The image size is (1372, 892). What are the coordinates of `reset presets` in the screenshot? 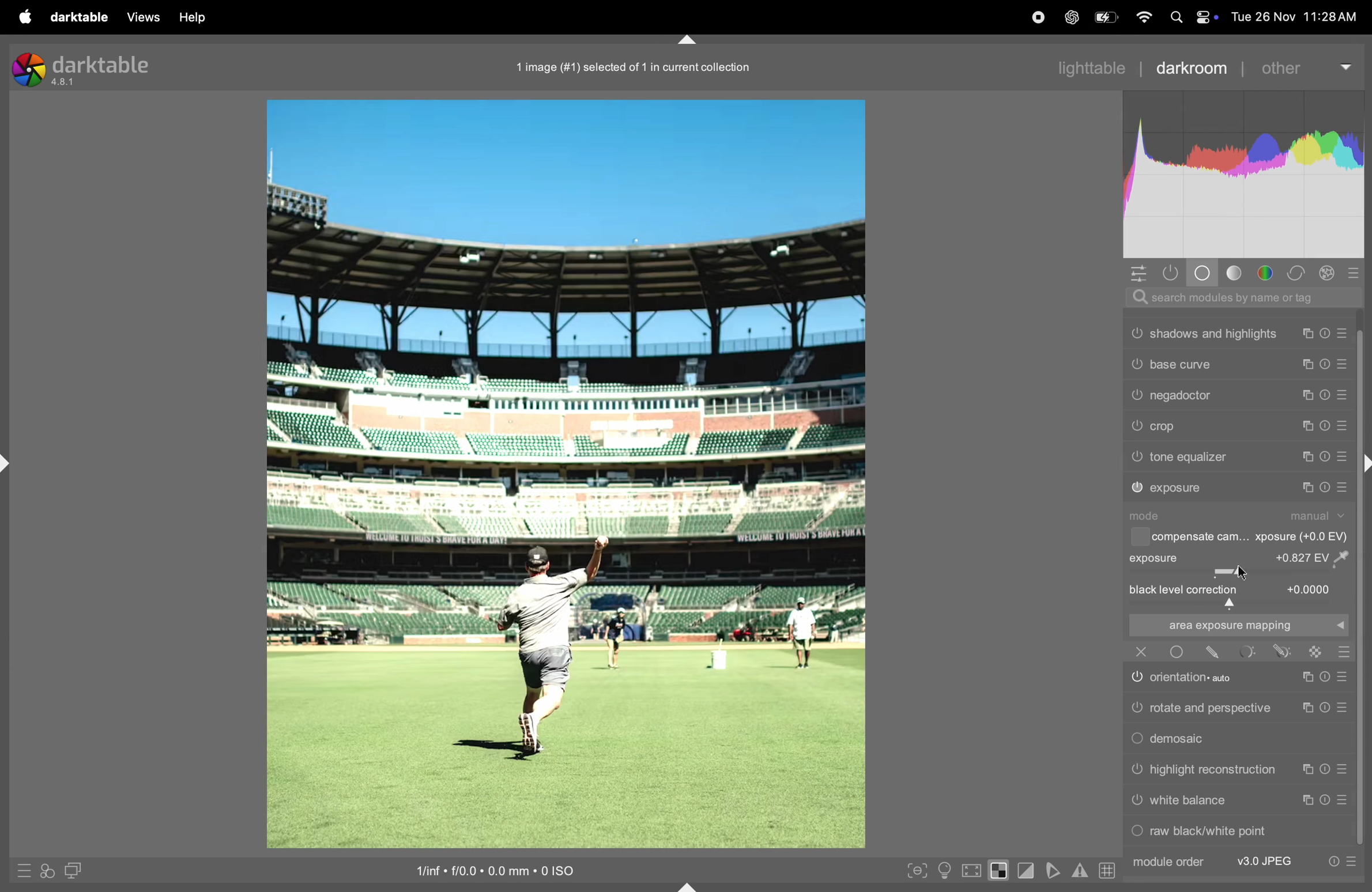 It's located at (1324, 457).